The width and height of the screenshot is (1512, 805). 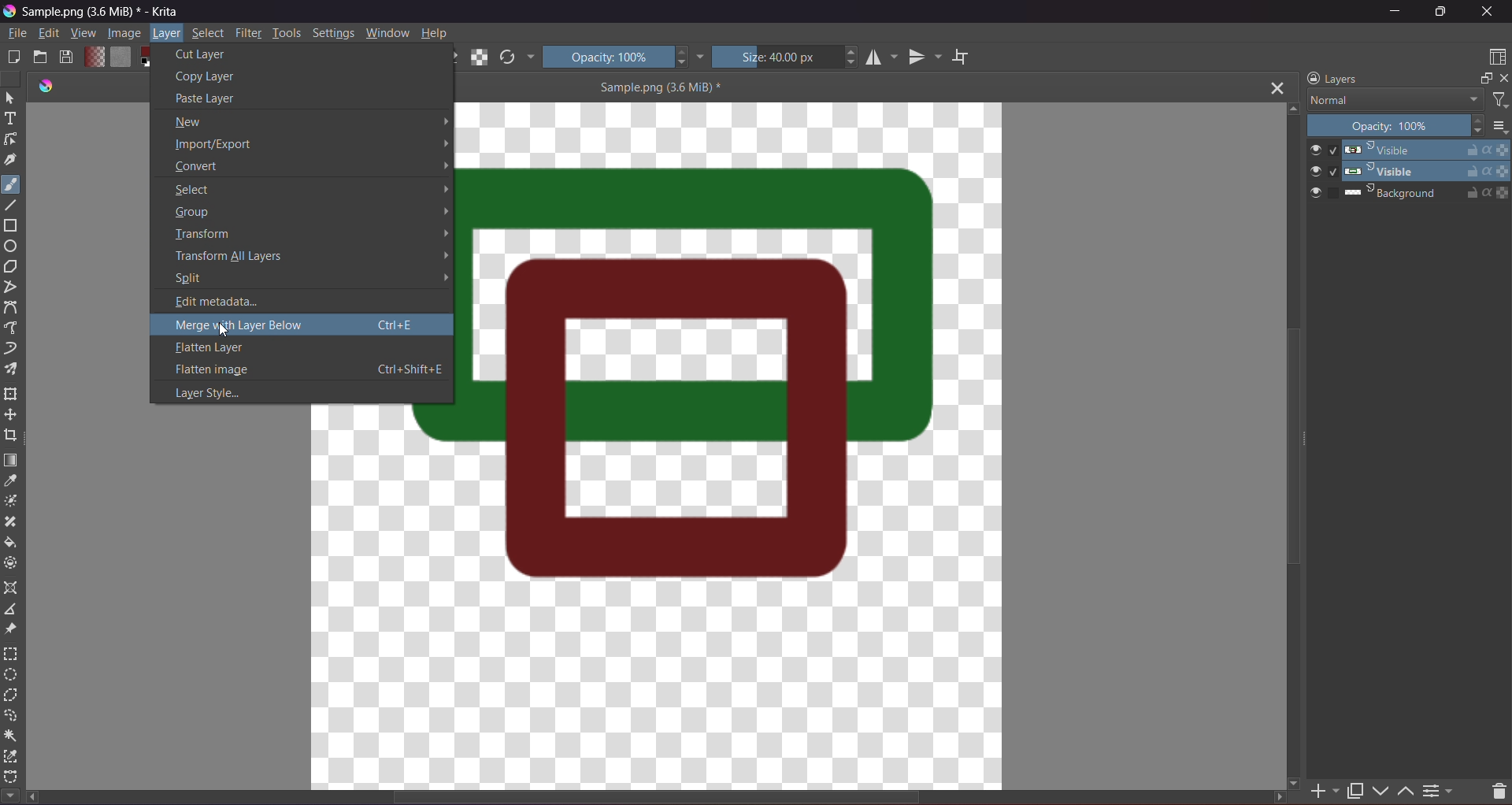 What do you see at coordinates (302, 301) in the screenshot?
I see `Edit metadata` at bounding box center [302, 301].